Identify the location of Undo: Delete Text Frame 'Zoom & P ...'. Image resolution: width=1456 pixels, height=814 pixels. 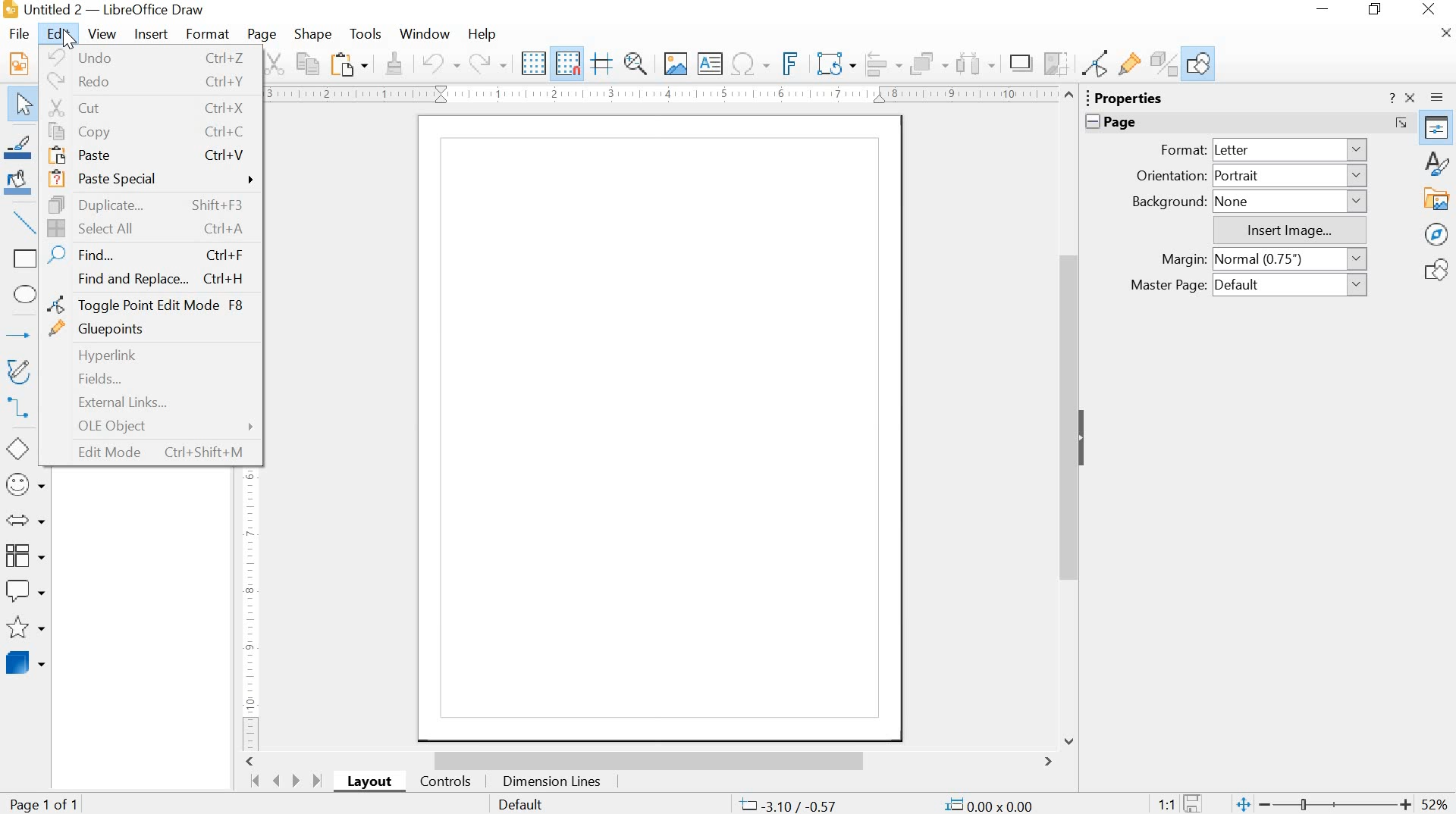
(441, 61).